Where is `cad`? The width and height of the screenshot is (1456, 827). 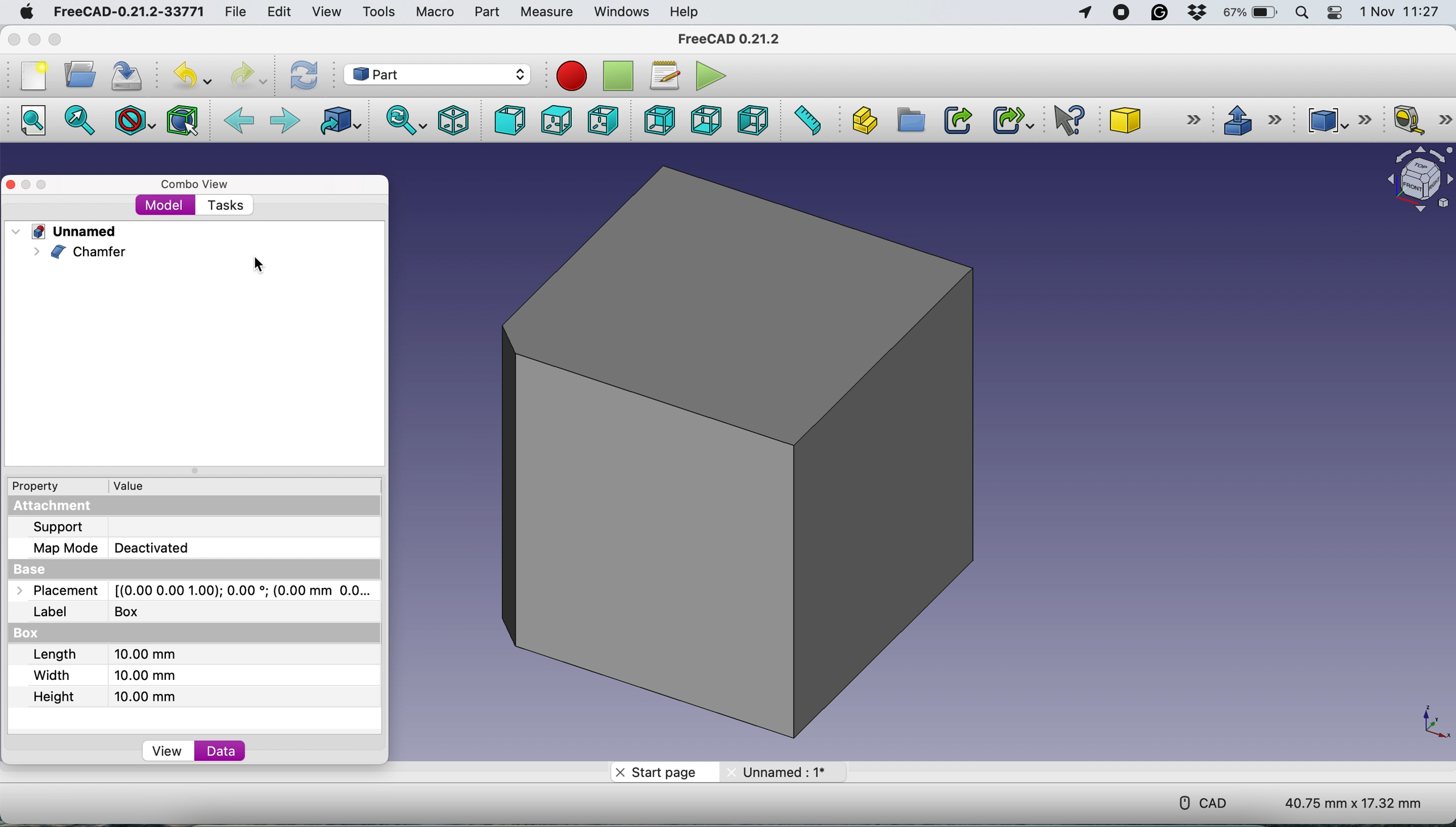
cad is located at coordinates (1197, 800).